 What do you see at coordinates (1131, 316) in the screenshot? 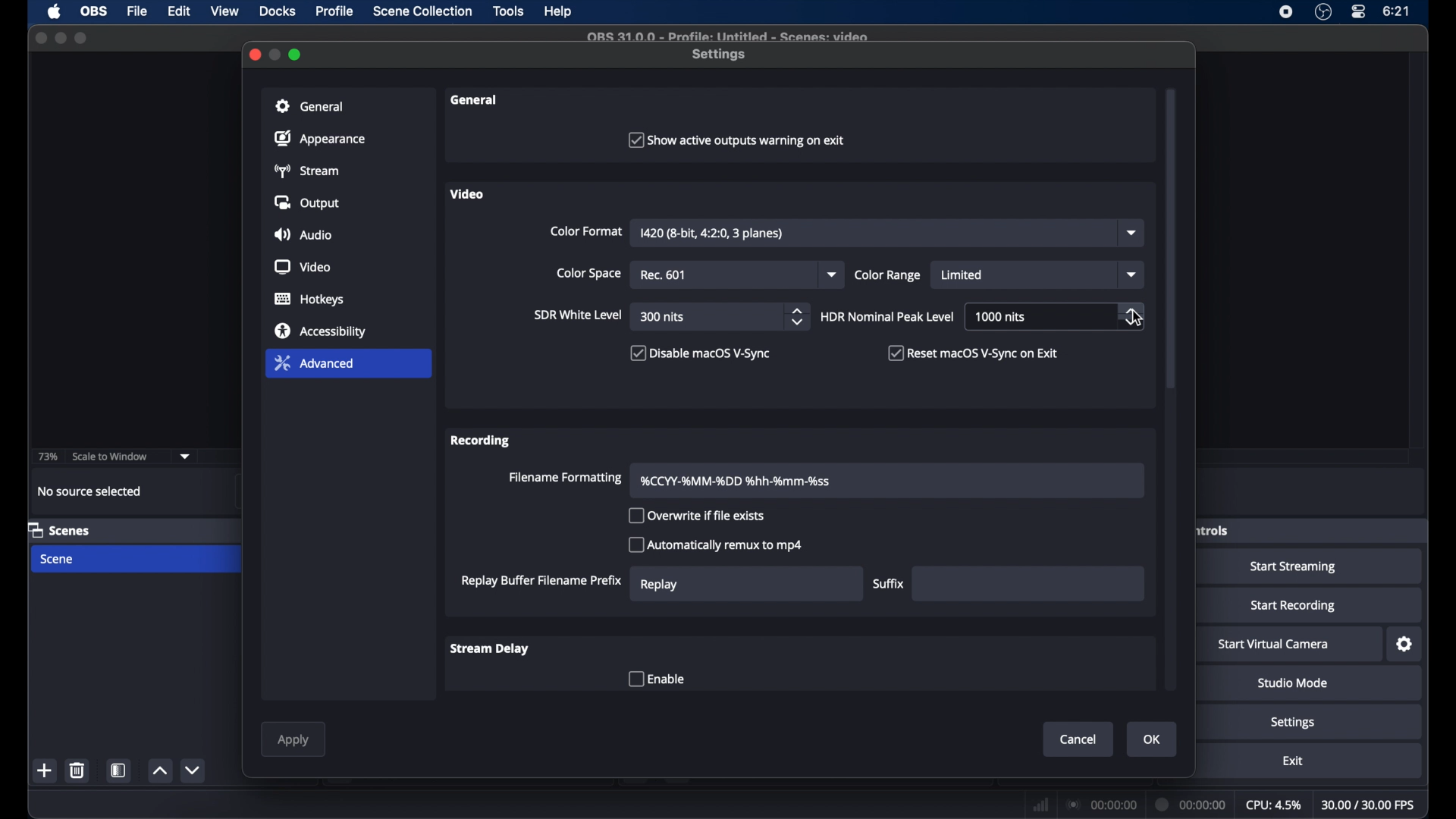
I see `stepper buttons` at bounding box center [1131, 316].